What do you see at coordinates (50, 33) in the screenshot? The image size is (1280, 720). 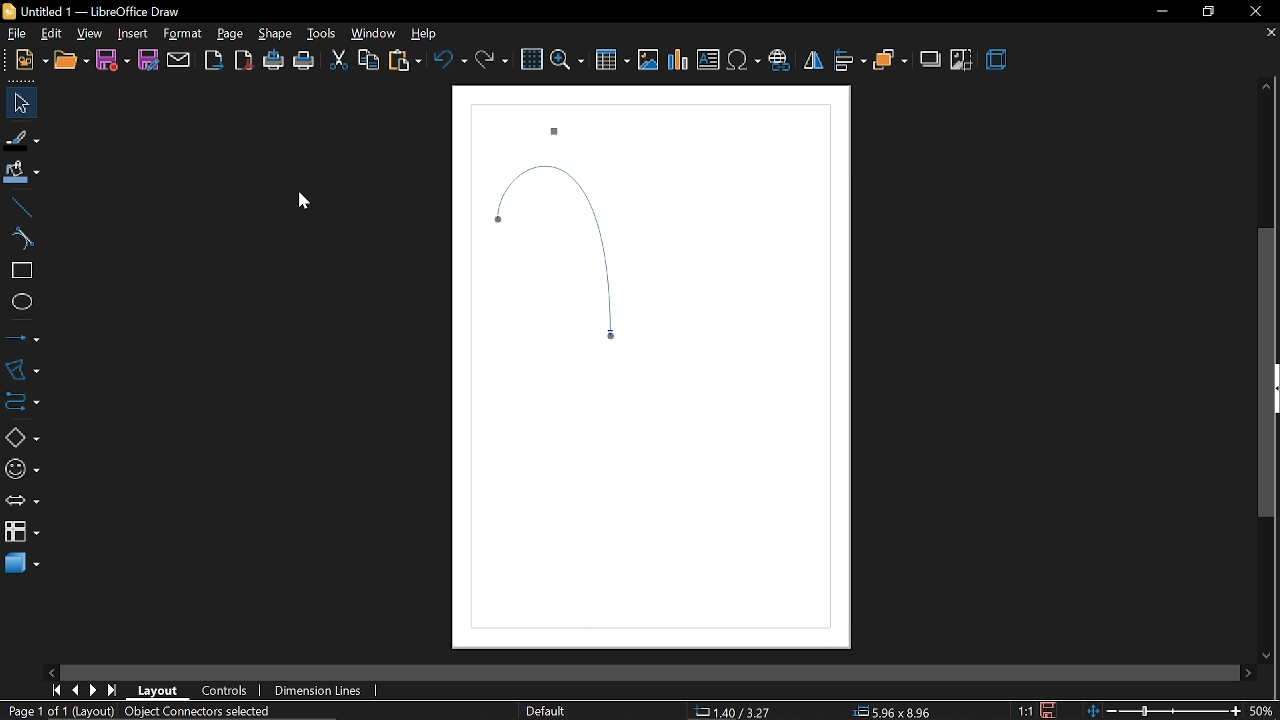 I see `edit` at bounding box center [50, 33].